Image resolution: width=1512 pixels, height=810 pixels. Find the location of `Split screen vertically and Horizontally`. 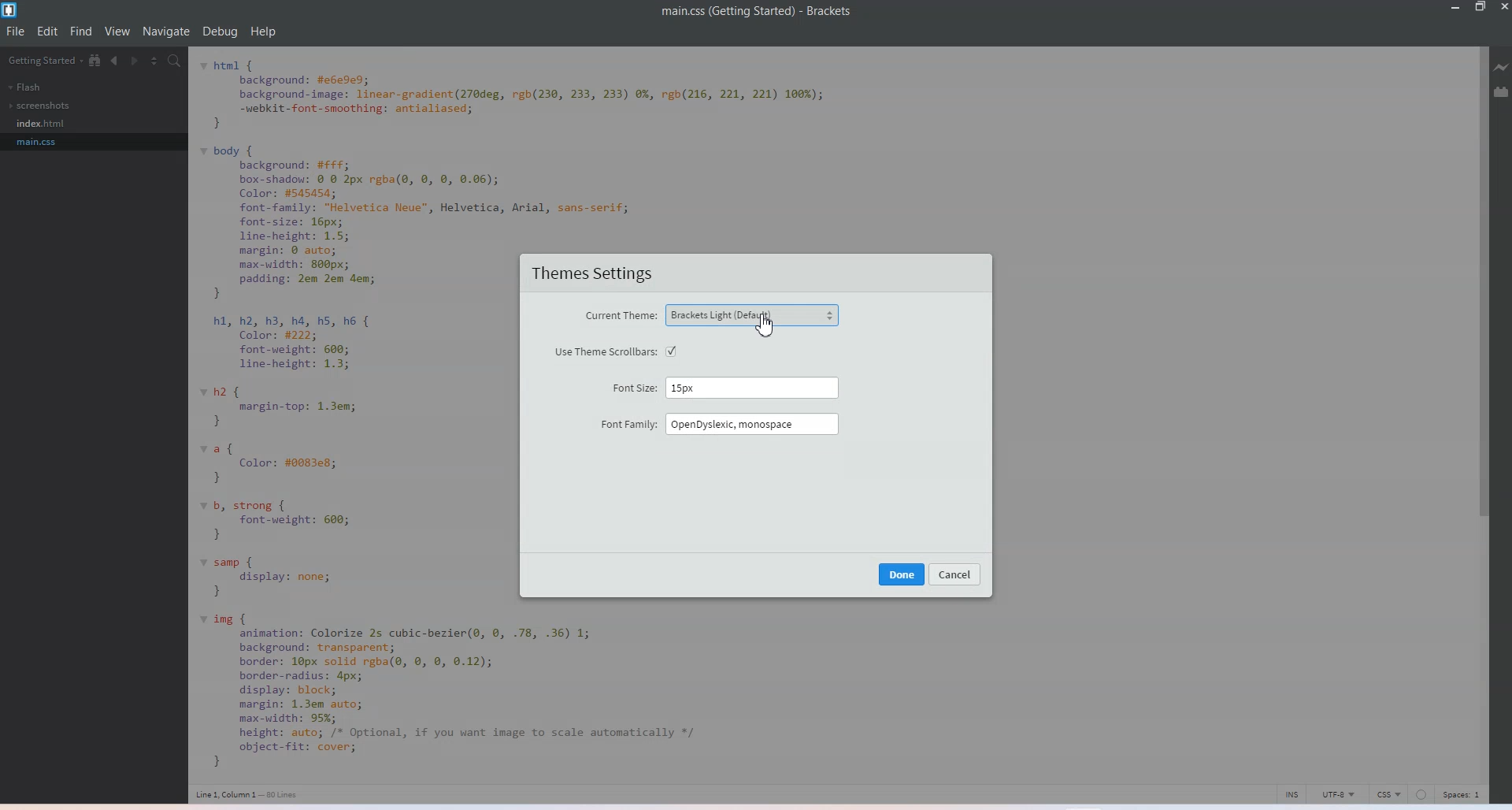

Split screen vertically and Horizontally is located at coordinates (156, 61).